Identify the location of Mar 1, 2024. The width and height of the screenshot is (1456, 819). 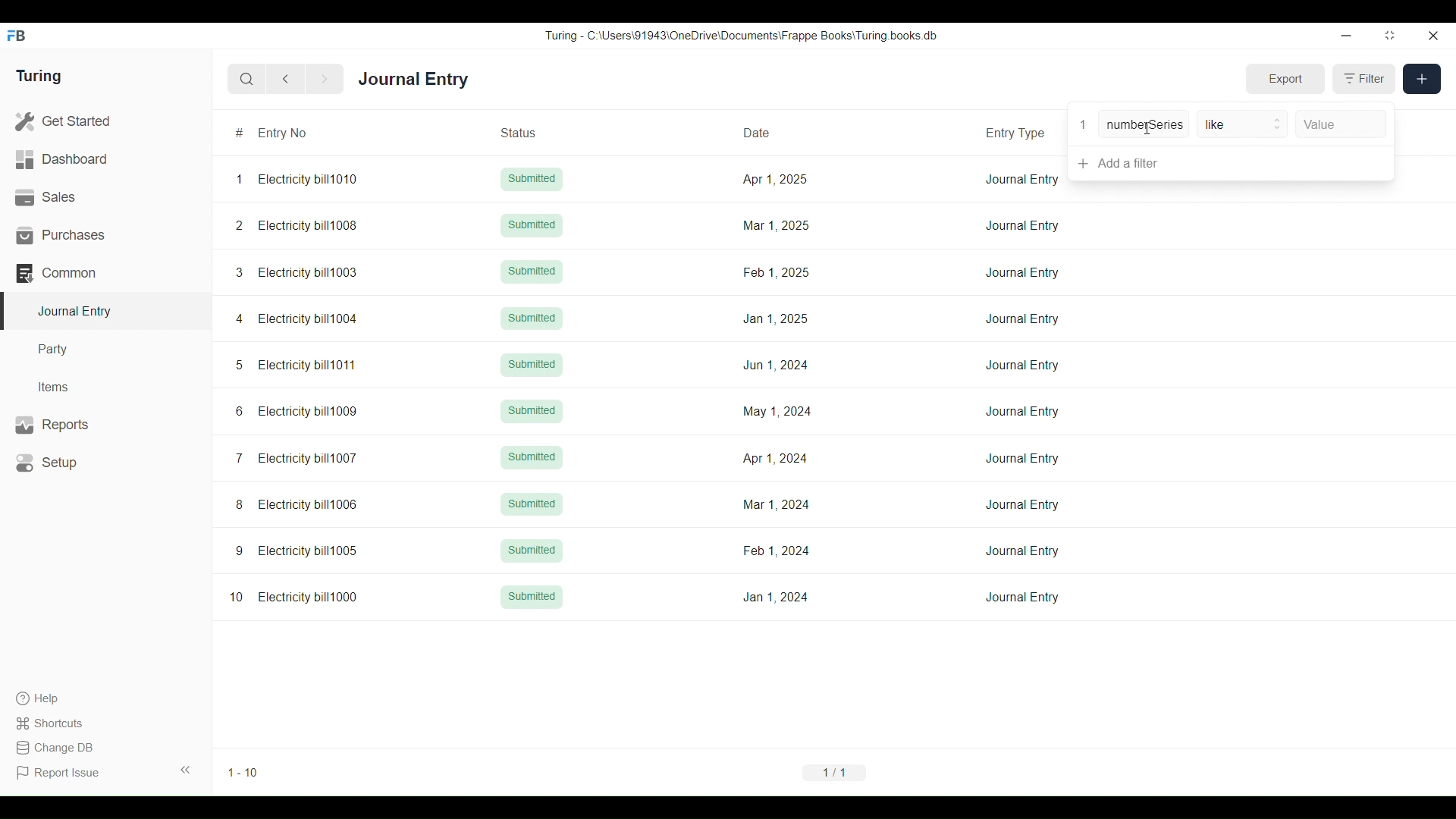
(777, 504).